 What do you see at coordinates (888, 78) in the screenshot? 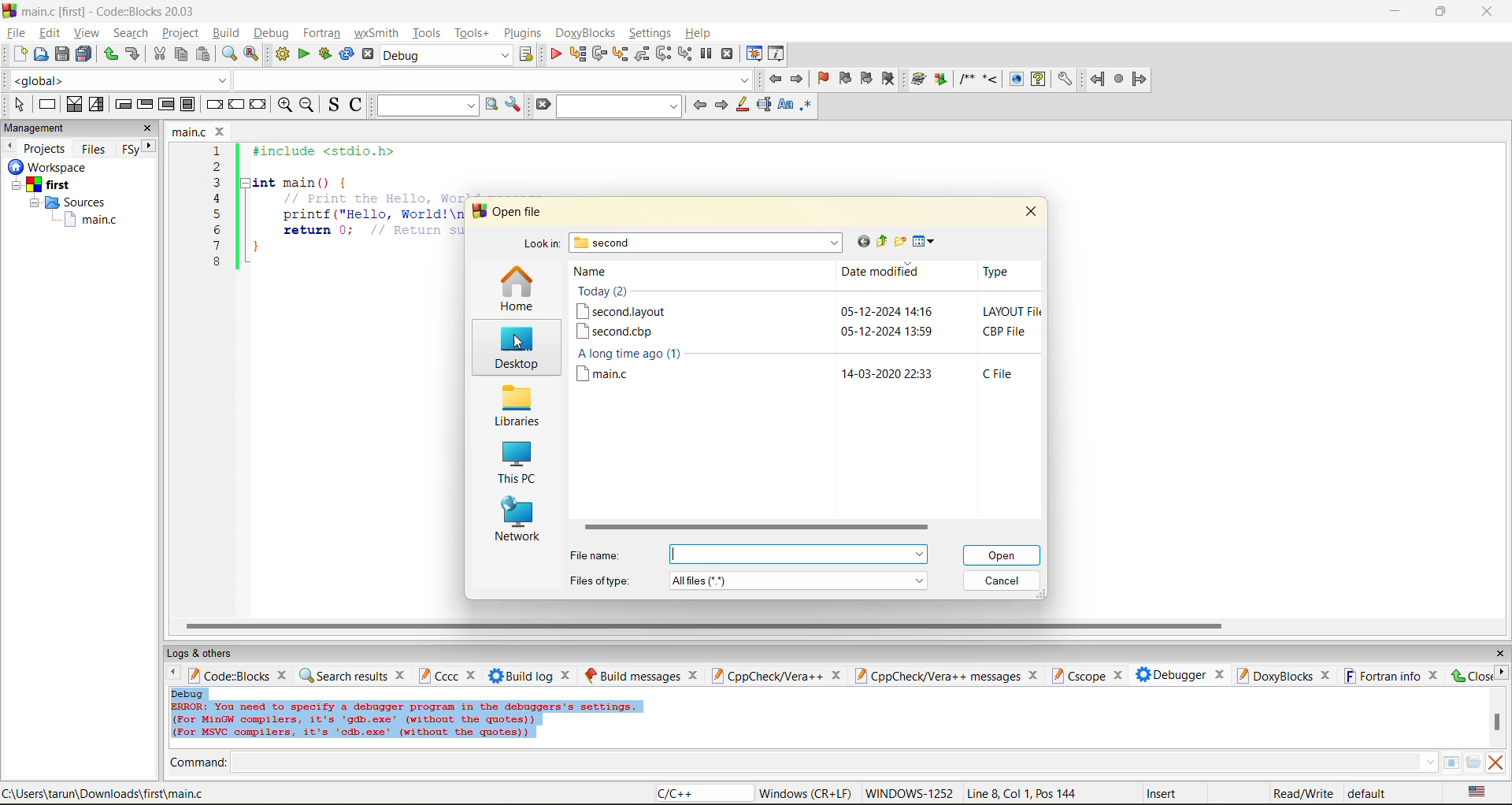
I see `clear bookmark` at bounding box center [888, 78].